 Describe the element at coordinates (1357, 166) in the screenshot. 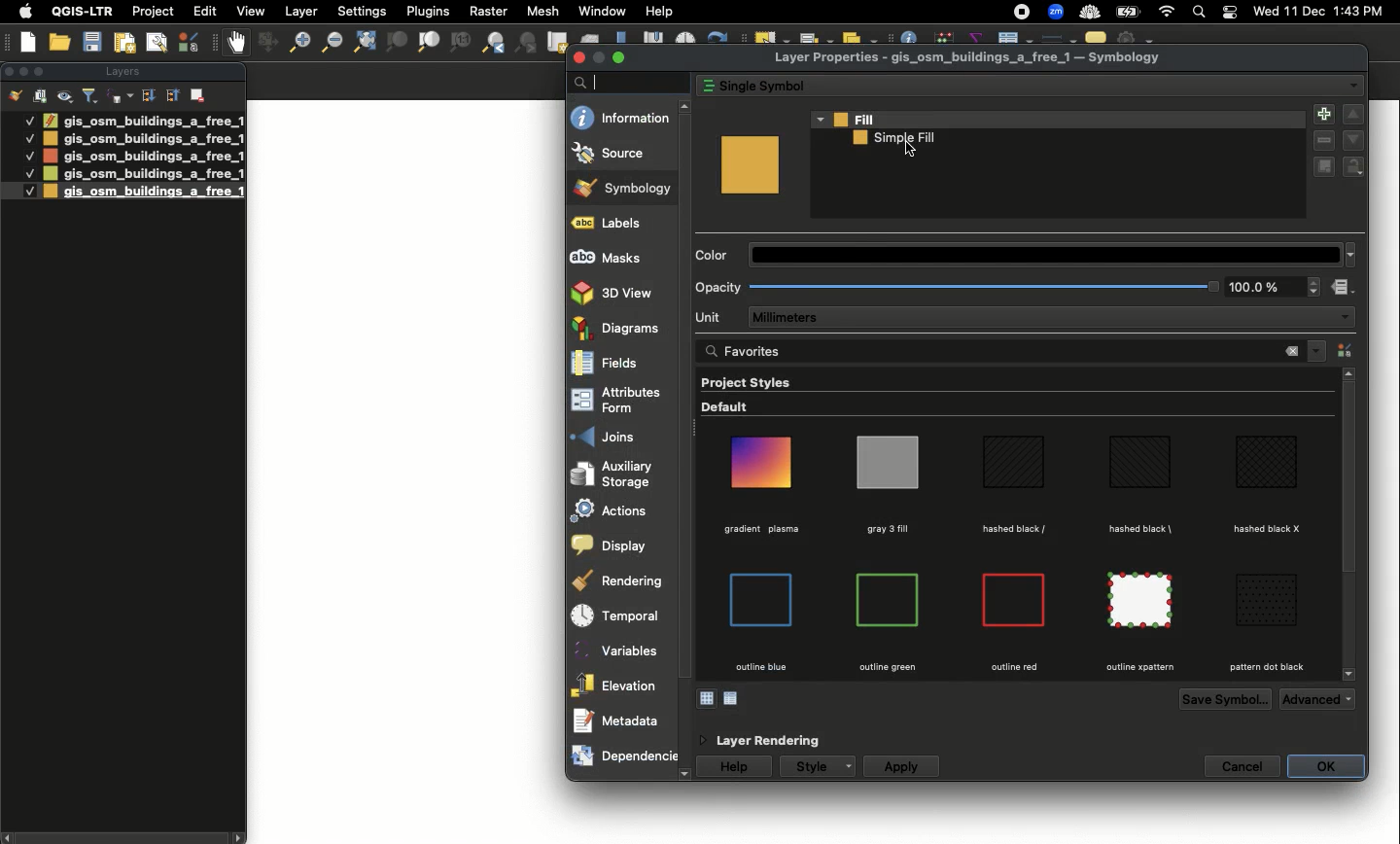

I see `Lock` at that location.